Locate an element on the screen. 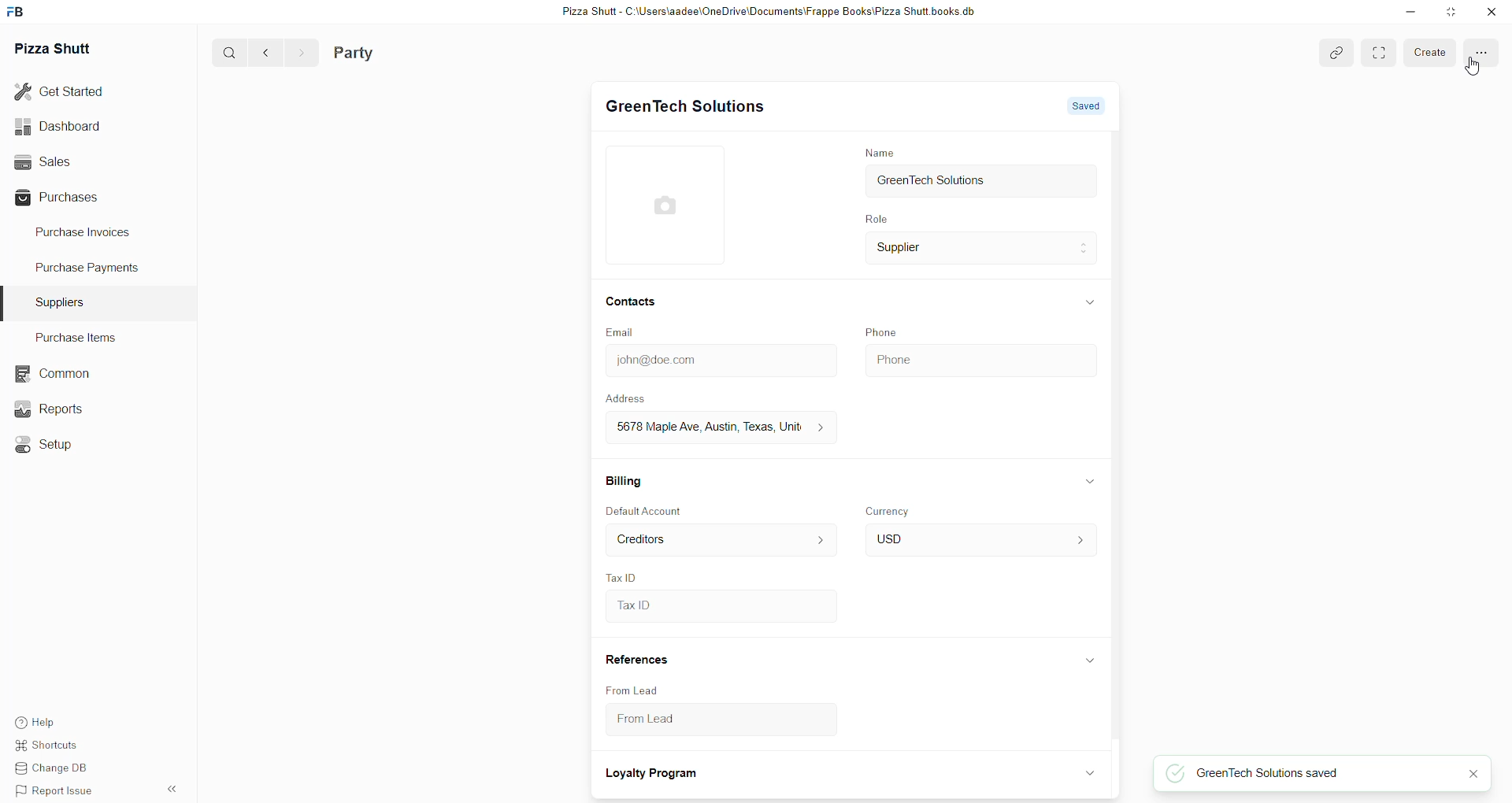  create is located at coordinates (1430, 51).